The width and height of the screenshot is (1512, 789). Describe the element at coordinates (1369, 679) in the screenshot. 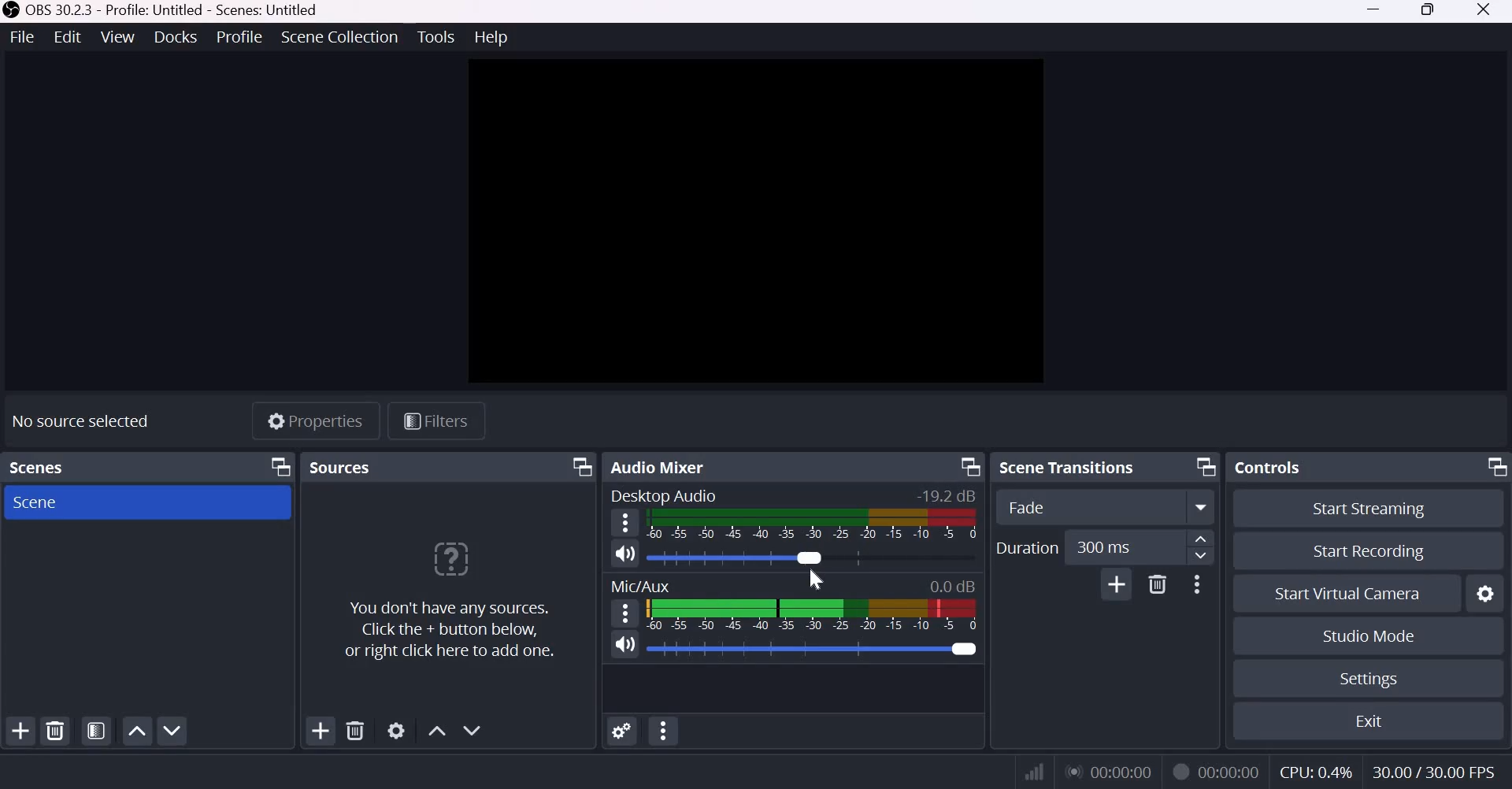

I see `Settings` at that location.